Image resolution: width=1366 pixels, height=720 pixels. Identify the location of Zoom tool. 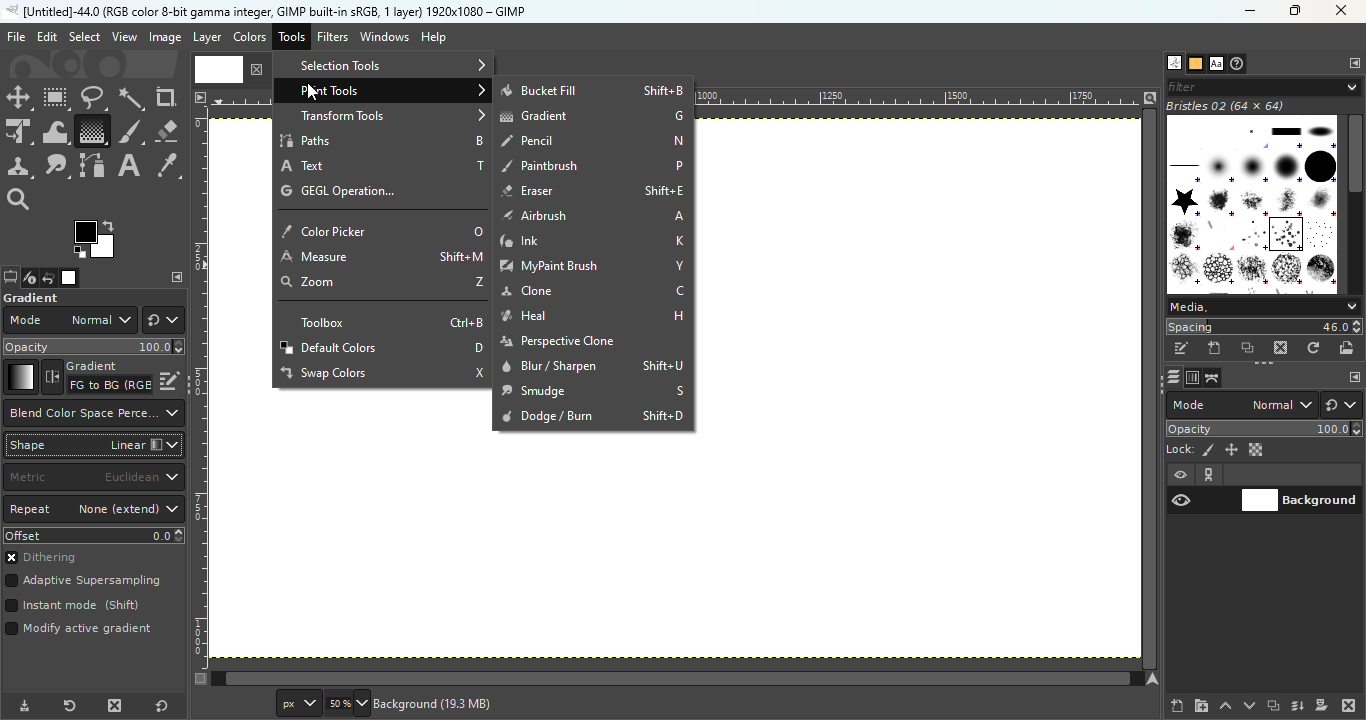
(20, 197).